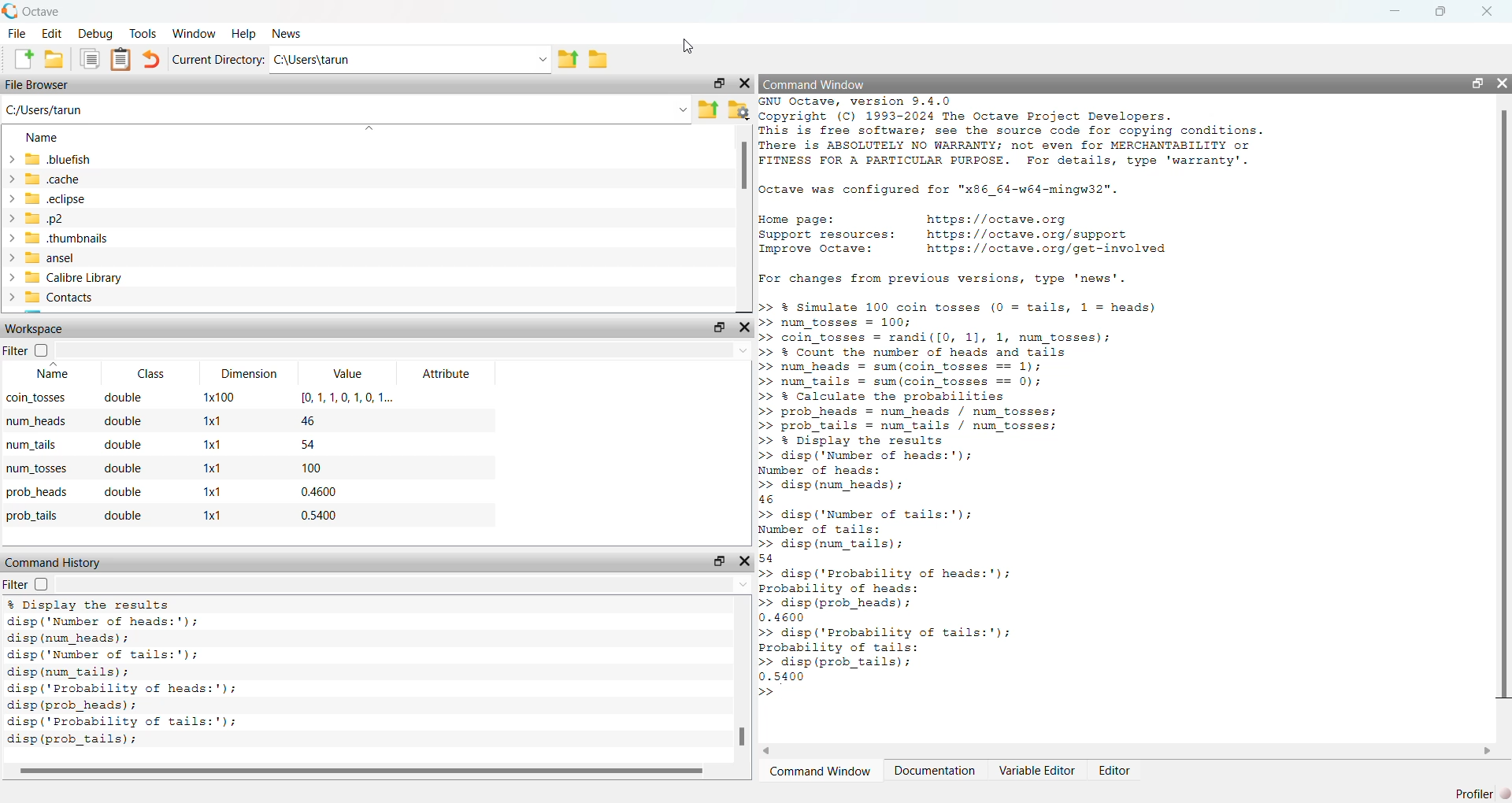  Describe the element at coordinates (1488, 11) in the screenshot. I see `close` at that location.